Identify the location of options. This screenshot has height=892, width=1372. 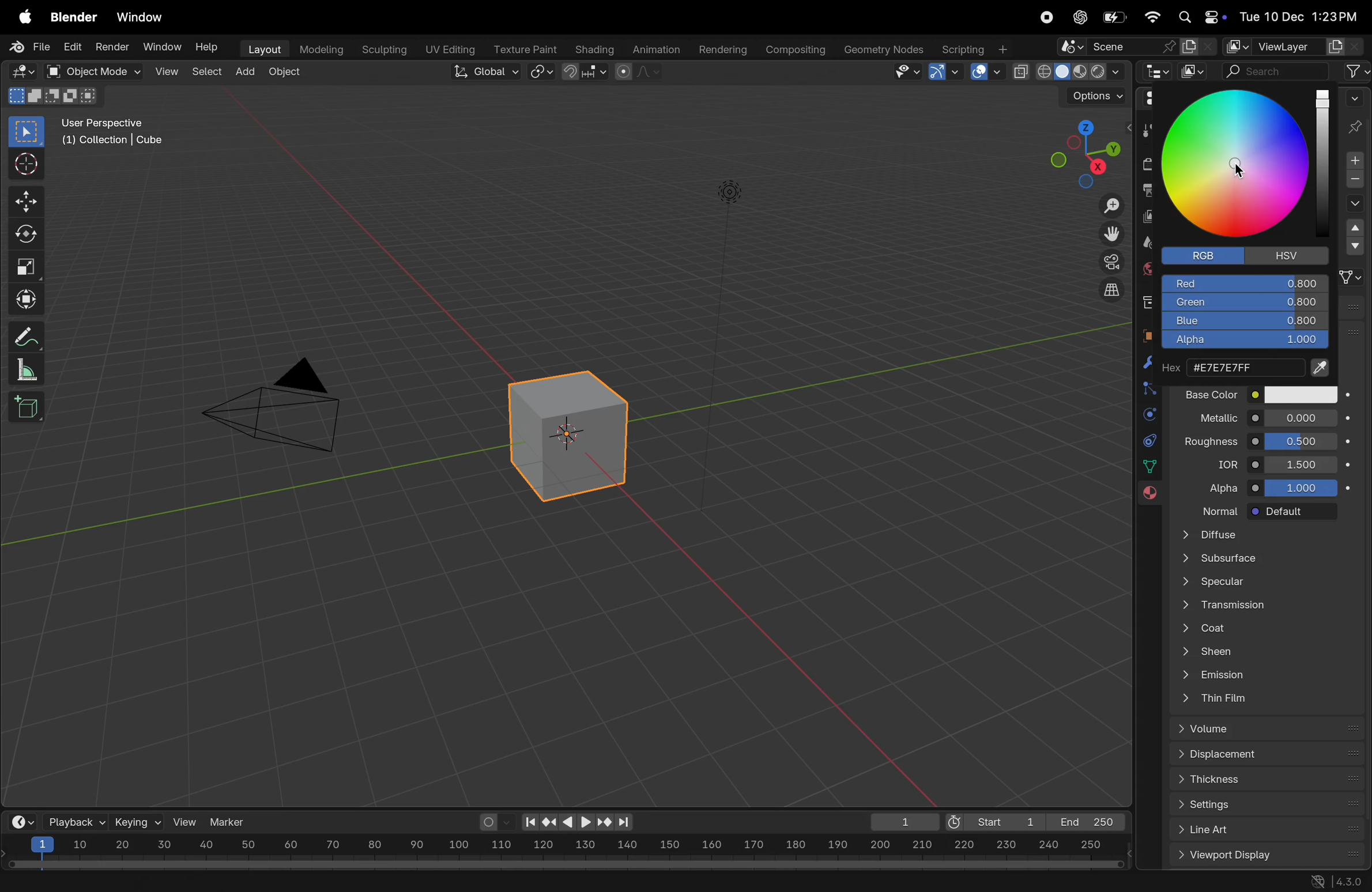
(1088, 96).